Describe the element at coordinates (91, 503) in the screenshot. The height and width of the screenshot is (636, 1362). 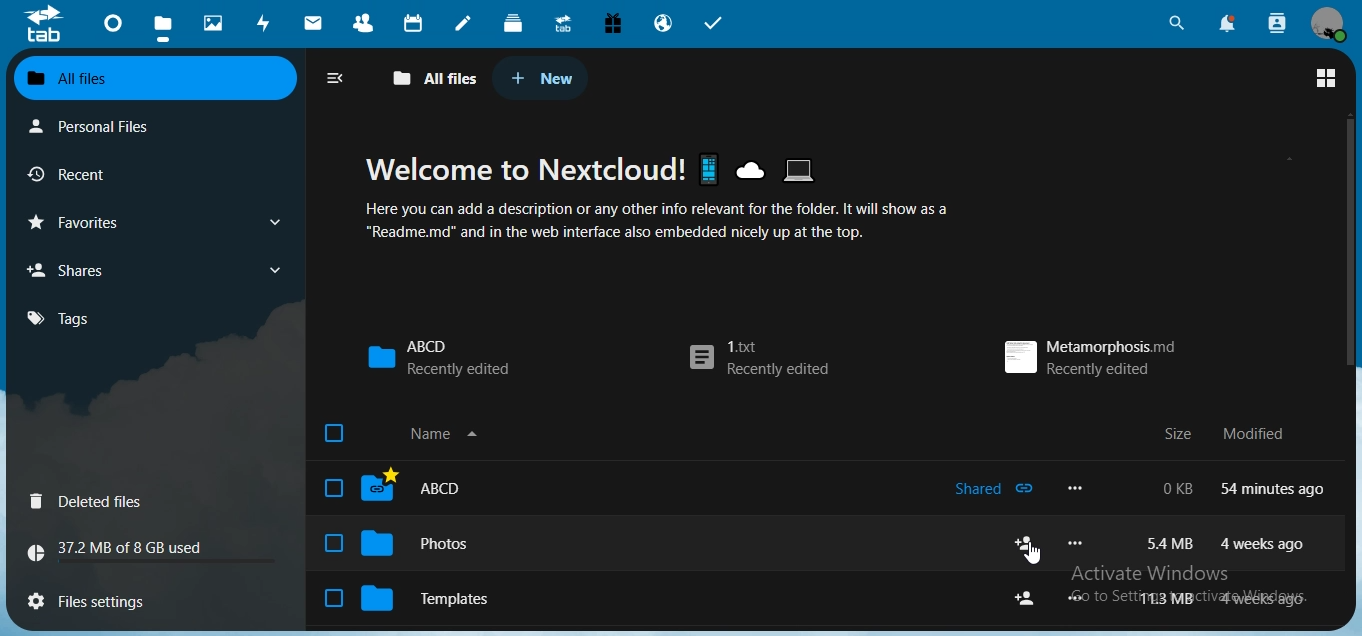
I see `deleted files` at that location.